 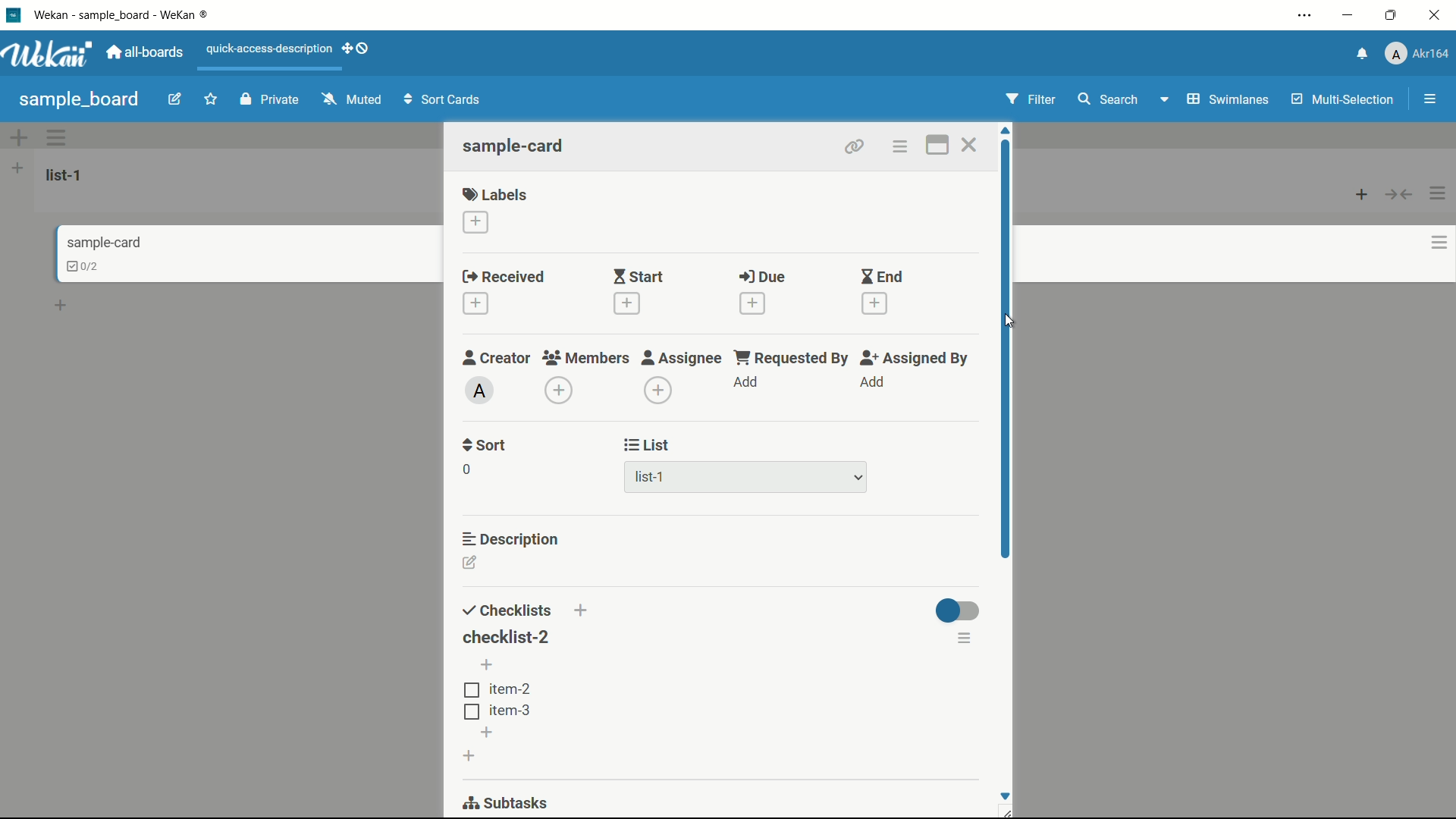 I want to click on swimlane actions, so click(x=58, y=138).